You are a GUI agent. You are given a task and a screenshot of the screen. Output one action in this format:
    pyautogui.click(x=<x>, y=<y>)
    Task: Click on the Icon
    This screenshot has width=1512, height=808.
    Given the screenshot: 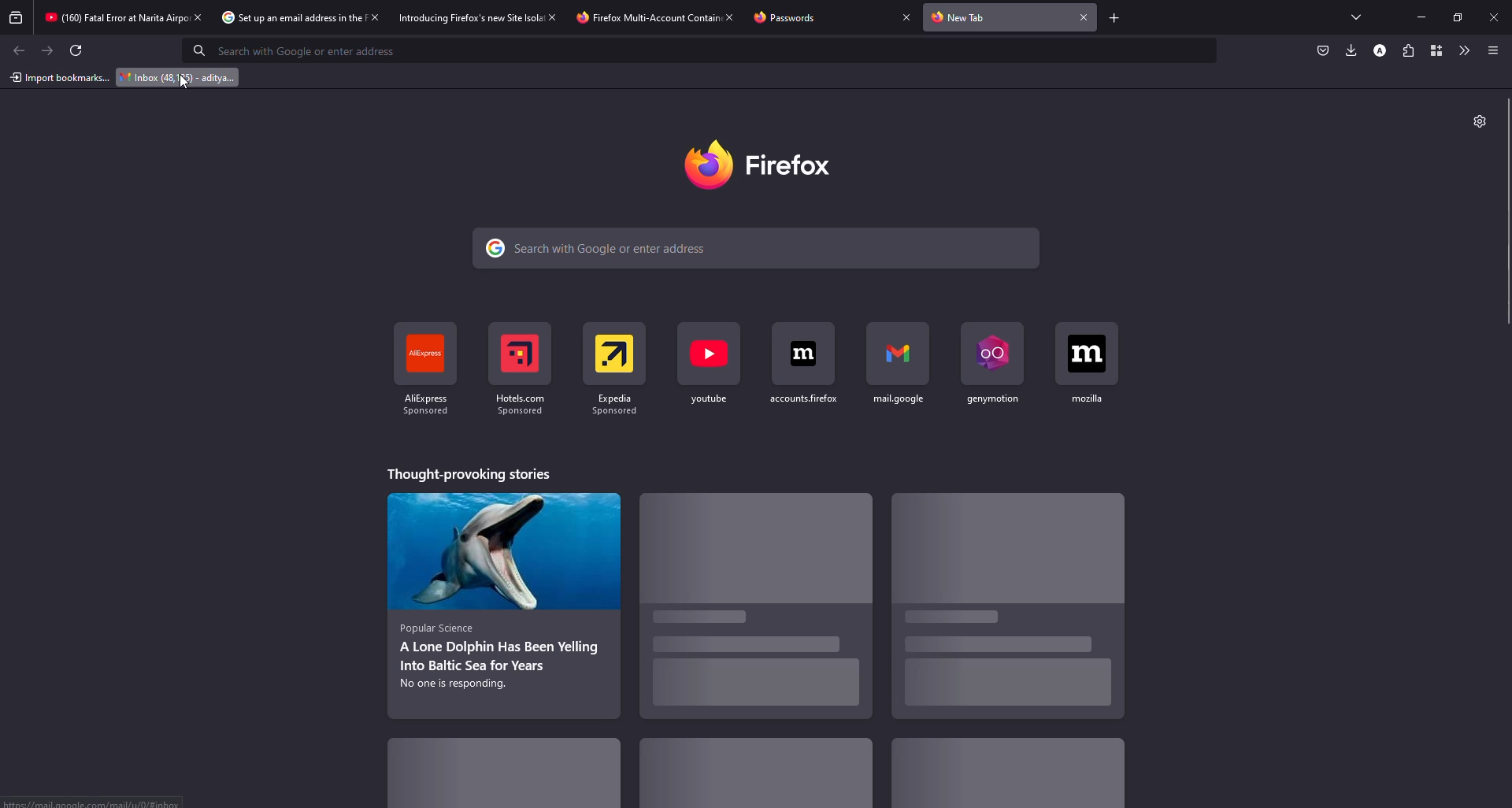 What is the action you would take?
    pyautogui.click(x=1086, y=351)
    